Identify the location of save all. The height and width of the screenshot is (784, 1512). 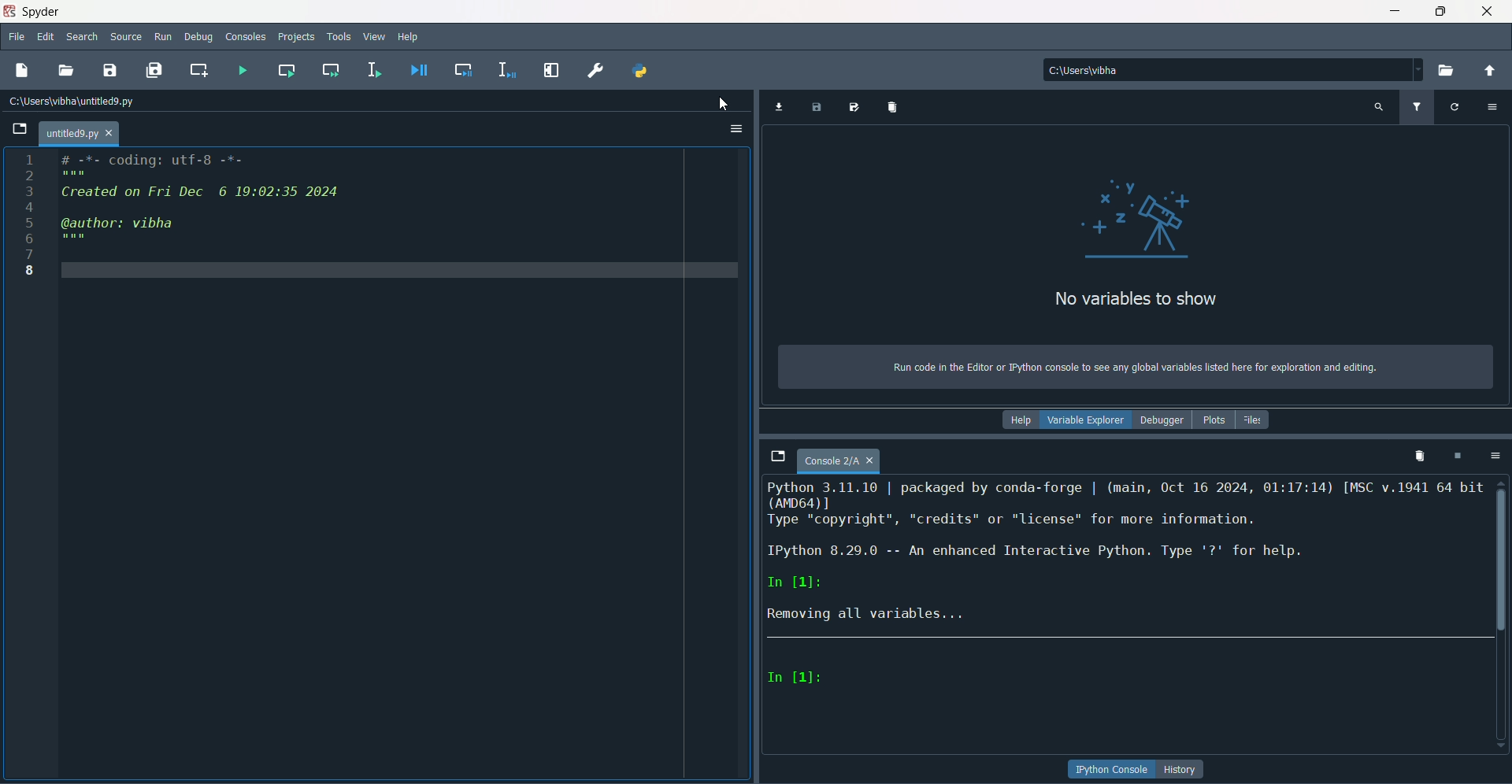
(154, 70).